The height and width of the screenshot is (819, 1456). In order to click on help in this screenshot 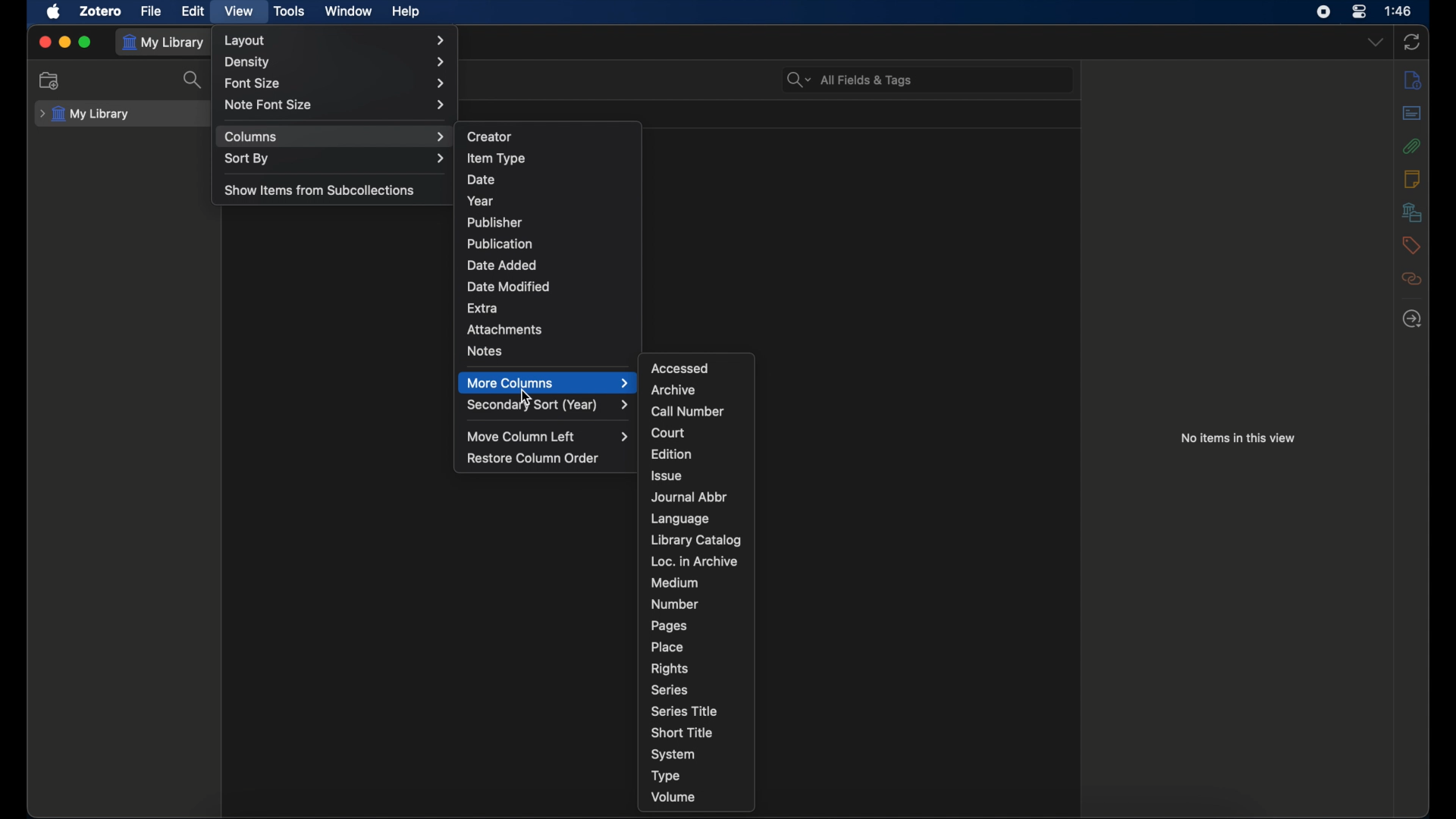, I will do `click(405, 11)`.